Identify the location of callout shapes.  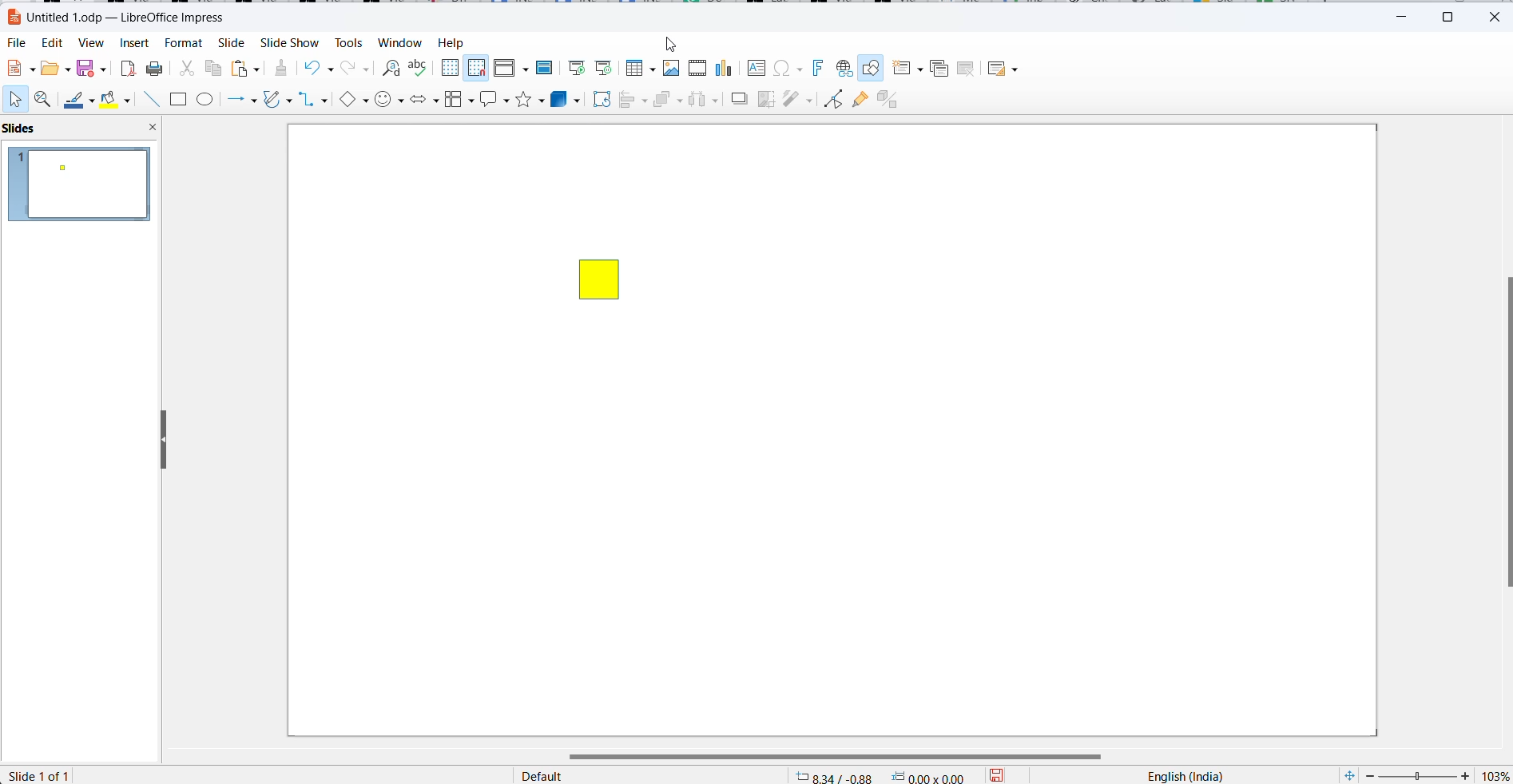
(495, 98).